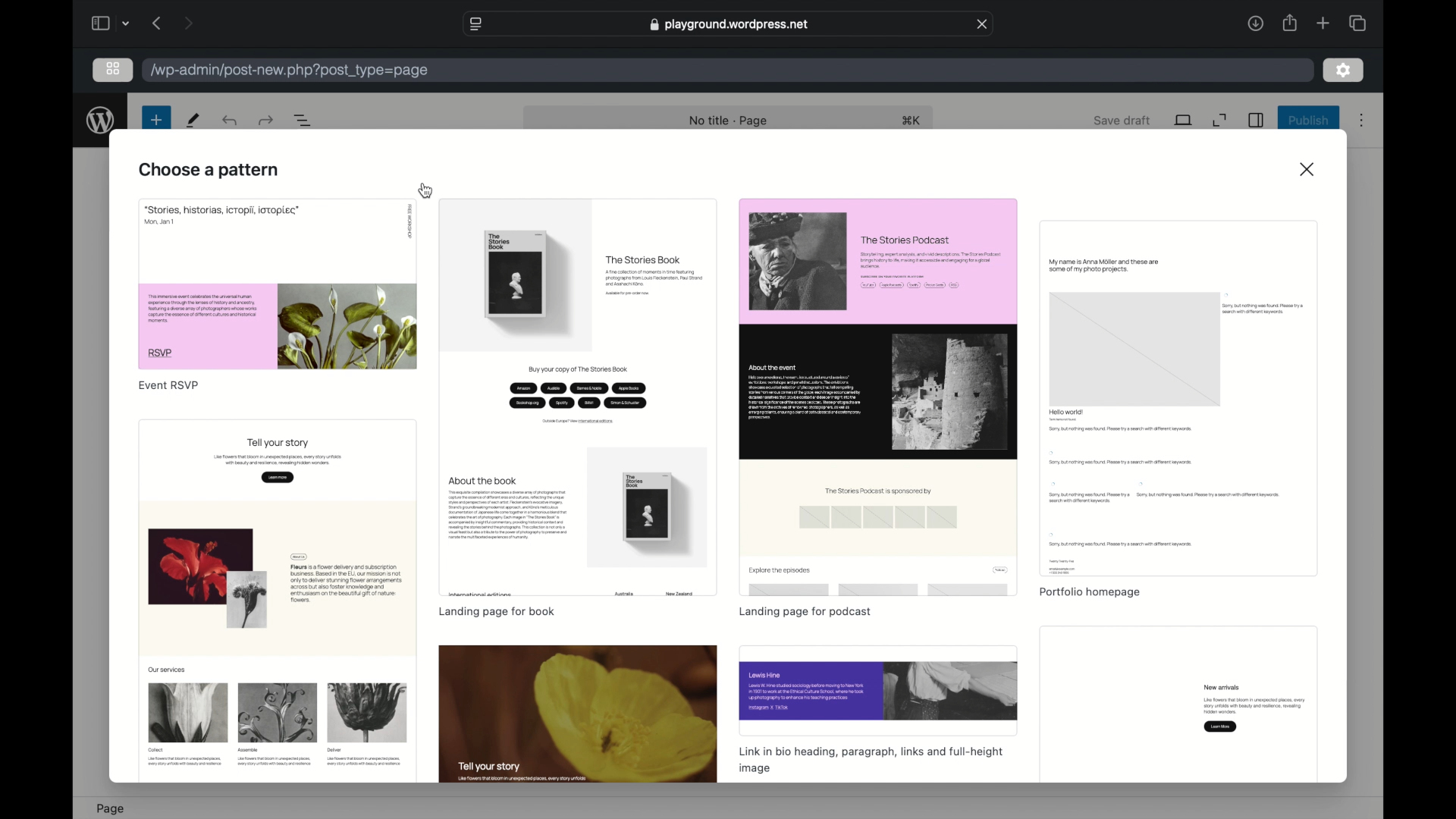  What do you see at coordinates (1309, 168) in the screenshot?
I see `close` at bounding box center [1309, 168].